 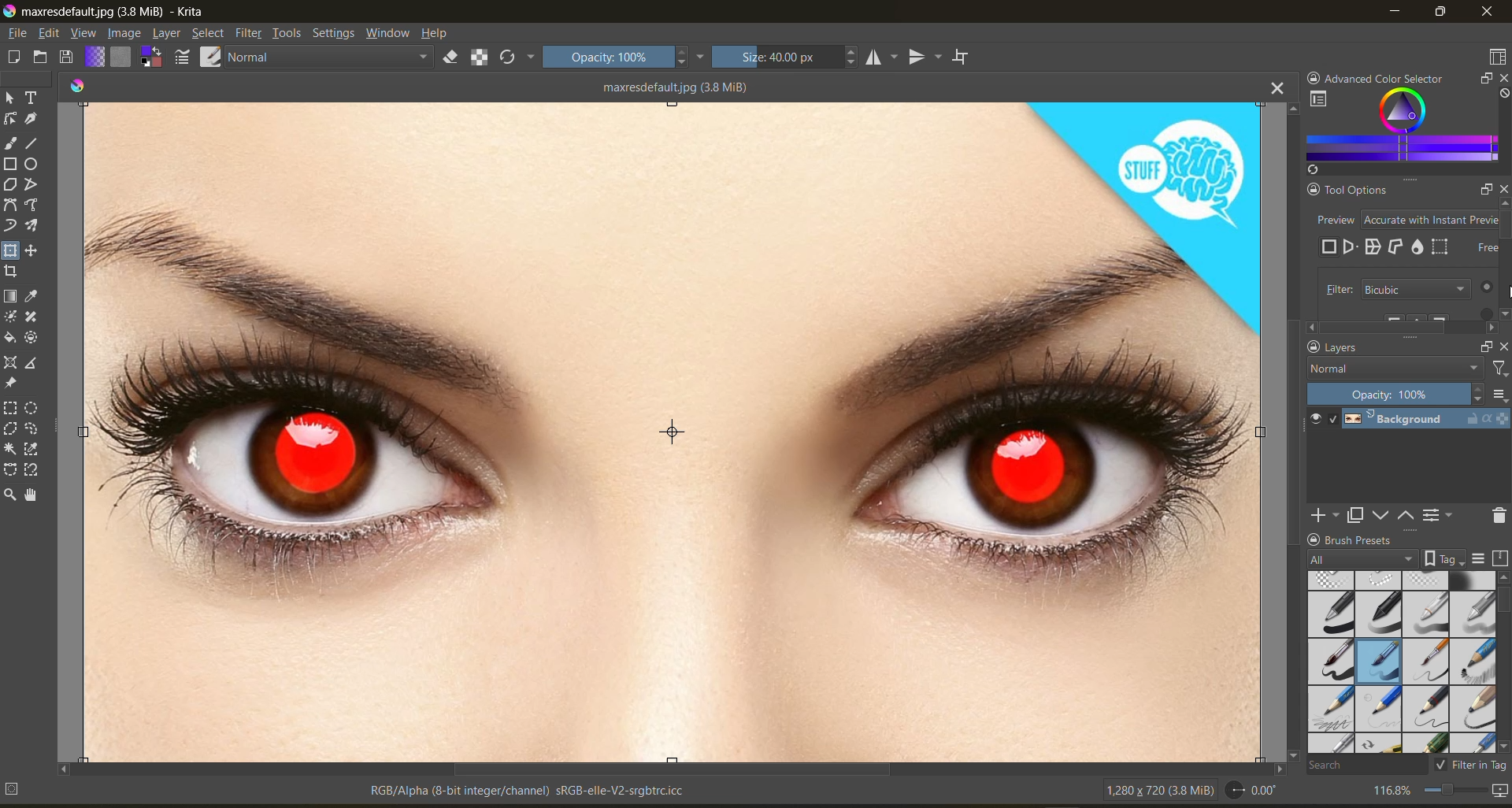 What do you see at coordinates (9, 337) in the screenshot?
I see `tool` at bounding box center [9, 337].